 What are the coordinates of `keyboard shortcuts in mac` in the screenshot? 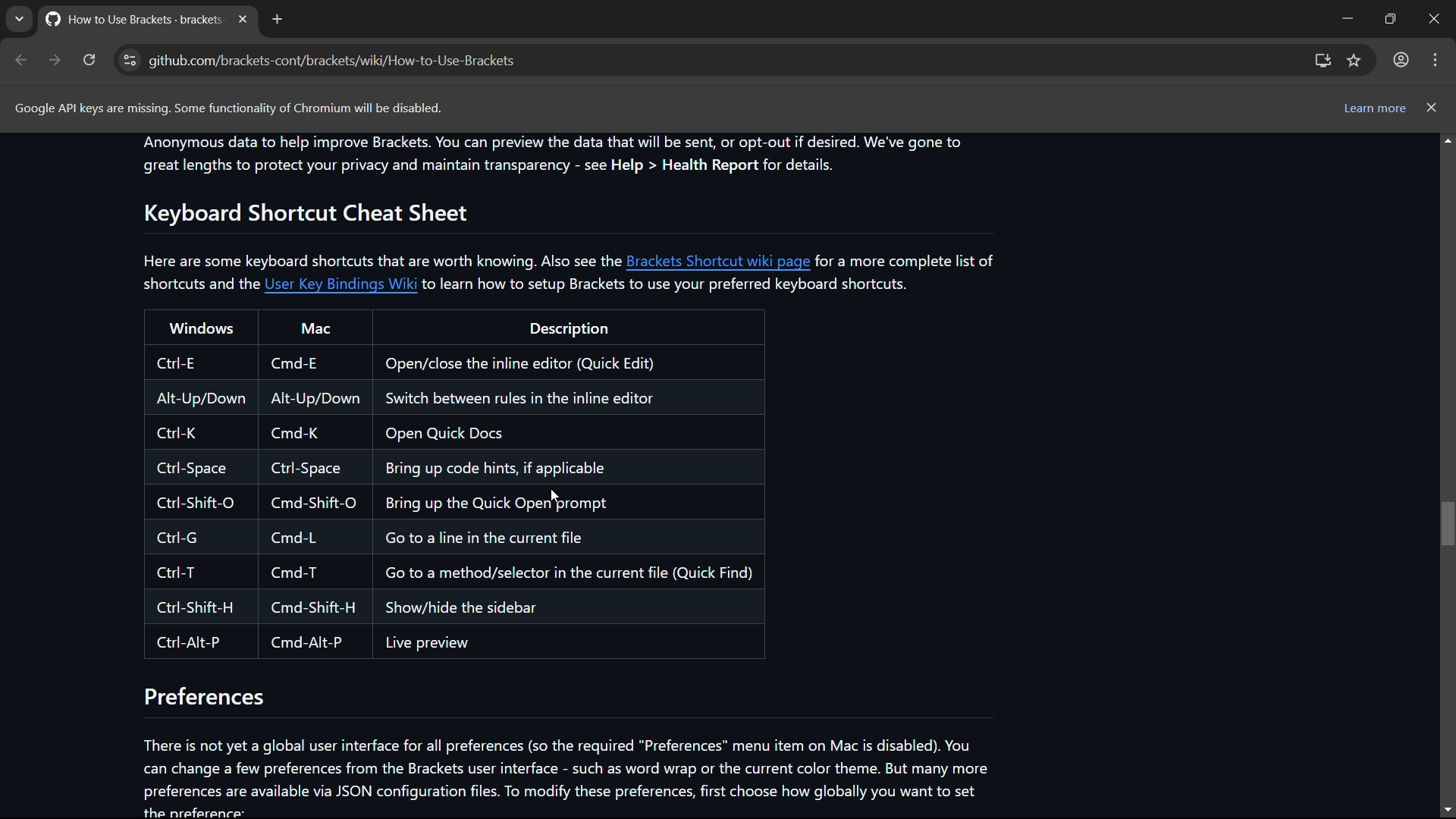 It's located at (311, 500).